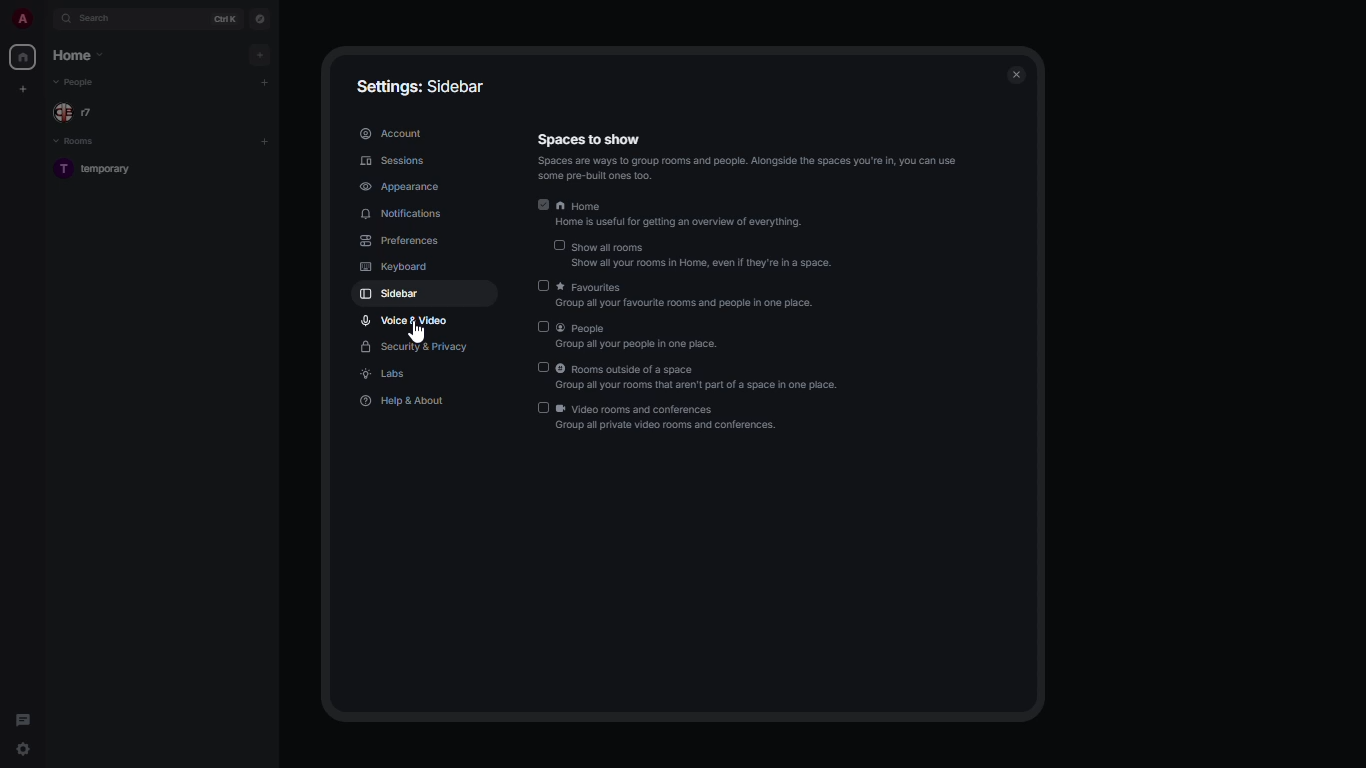 The image size is (1366, 768). What do you see at coordinates (637, 337) in the screenshot?
I see `people` at bounding box center [637, 337].